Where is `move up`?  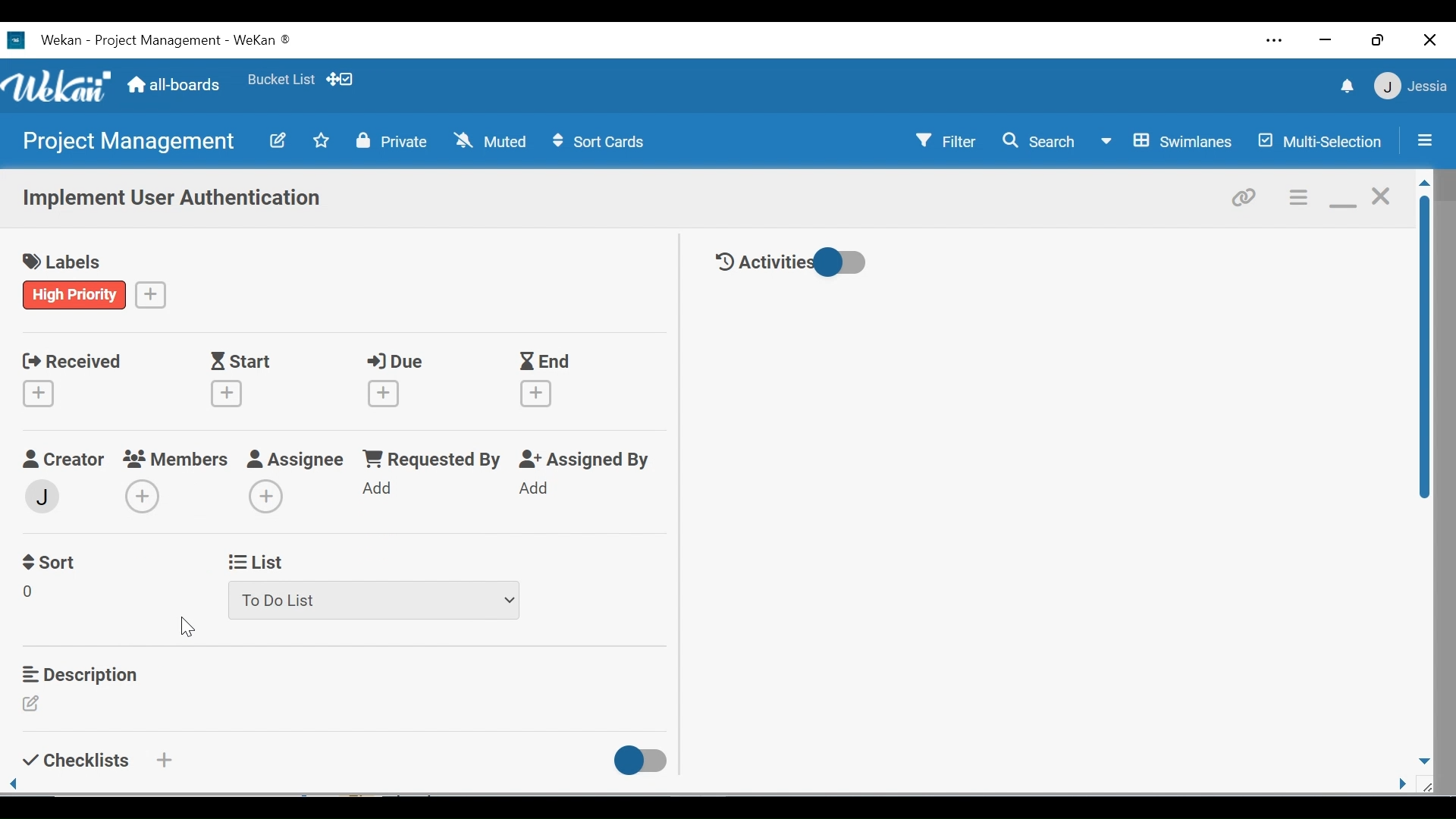 move up is located at coordinates (1423, 184).